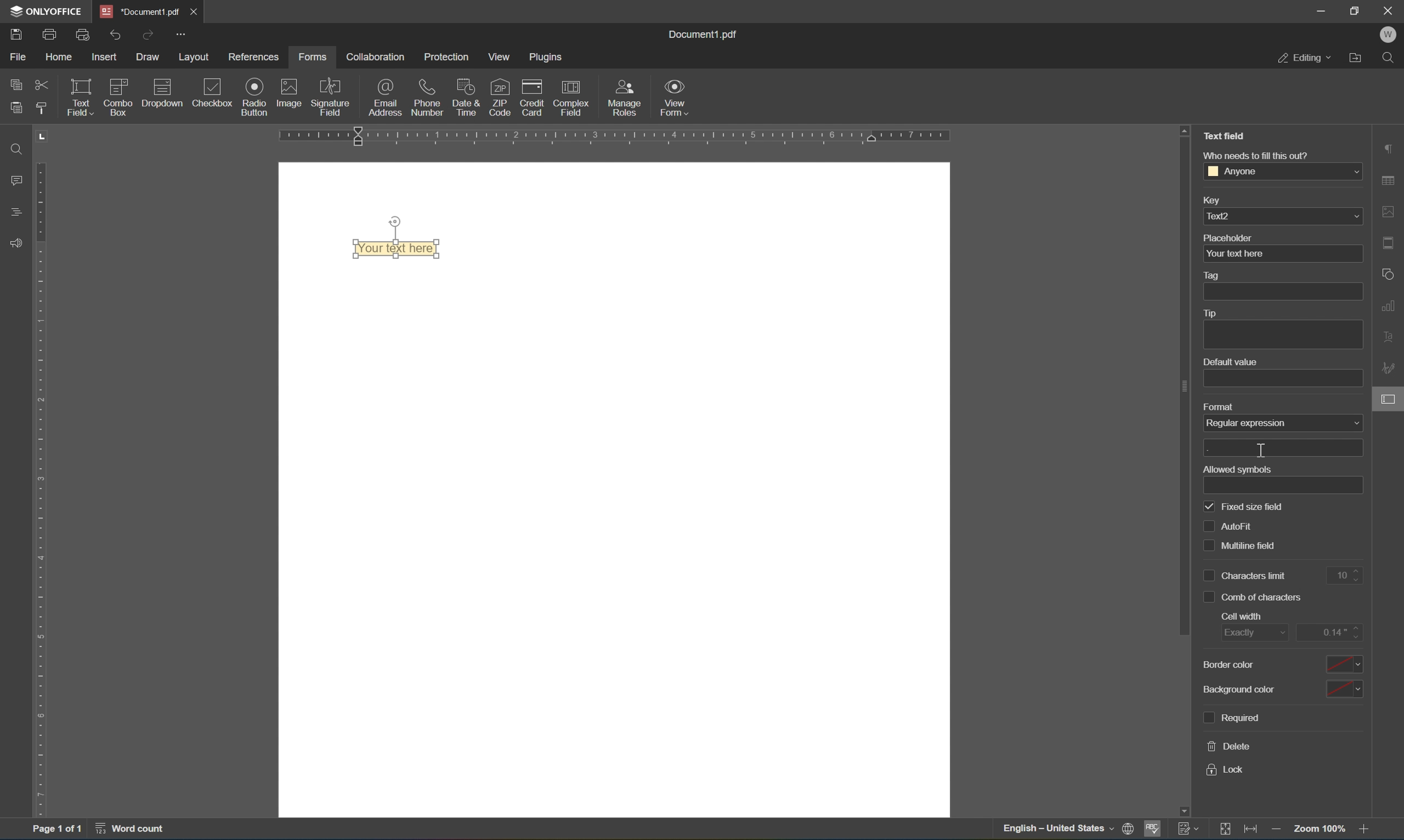 The height and width of the screenshot is (840, 1404). I want to click on text2, so click(1281, 216).